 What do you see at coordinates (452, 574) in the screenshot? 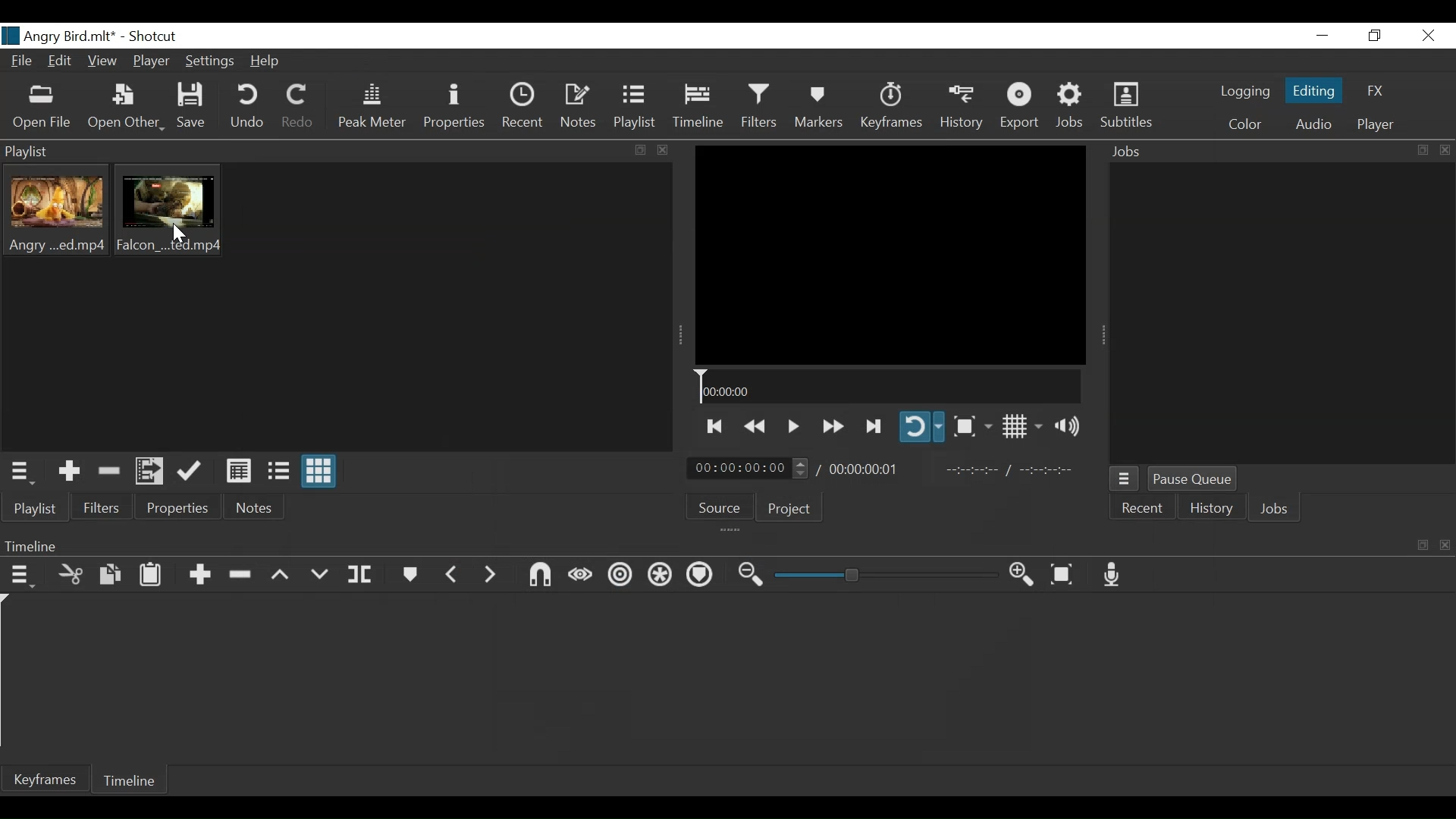
I see `Previous marker` at bounding box center [452, 574].